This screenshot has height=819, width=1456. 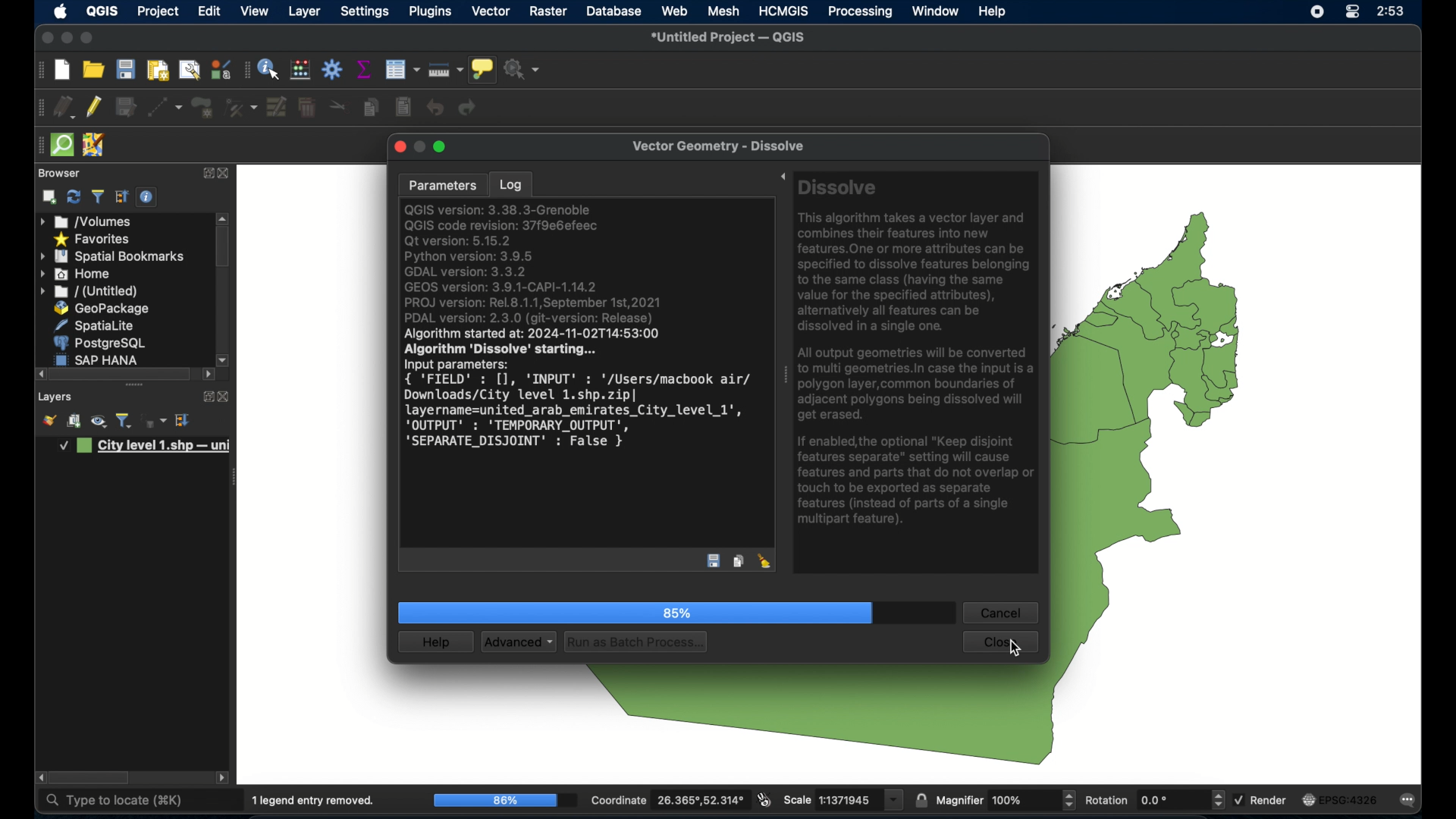 I want to click on project toolbar, so click(x=39, y=71).